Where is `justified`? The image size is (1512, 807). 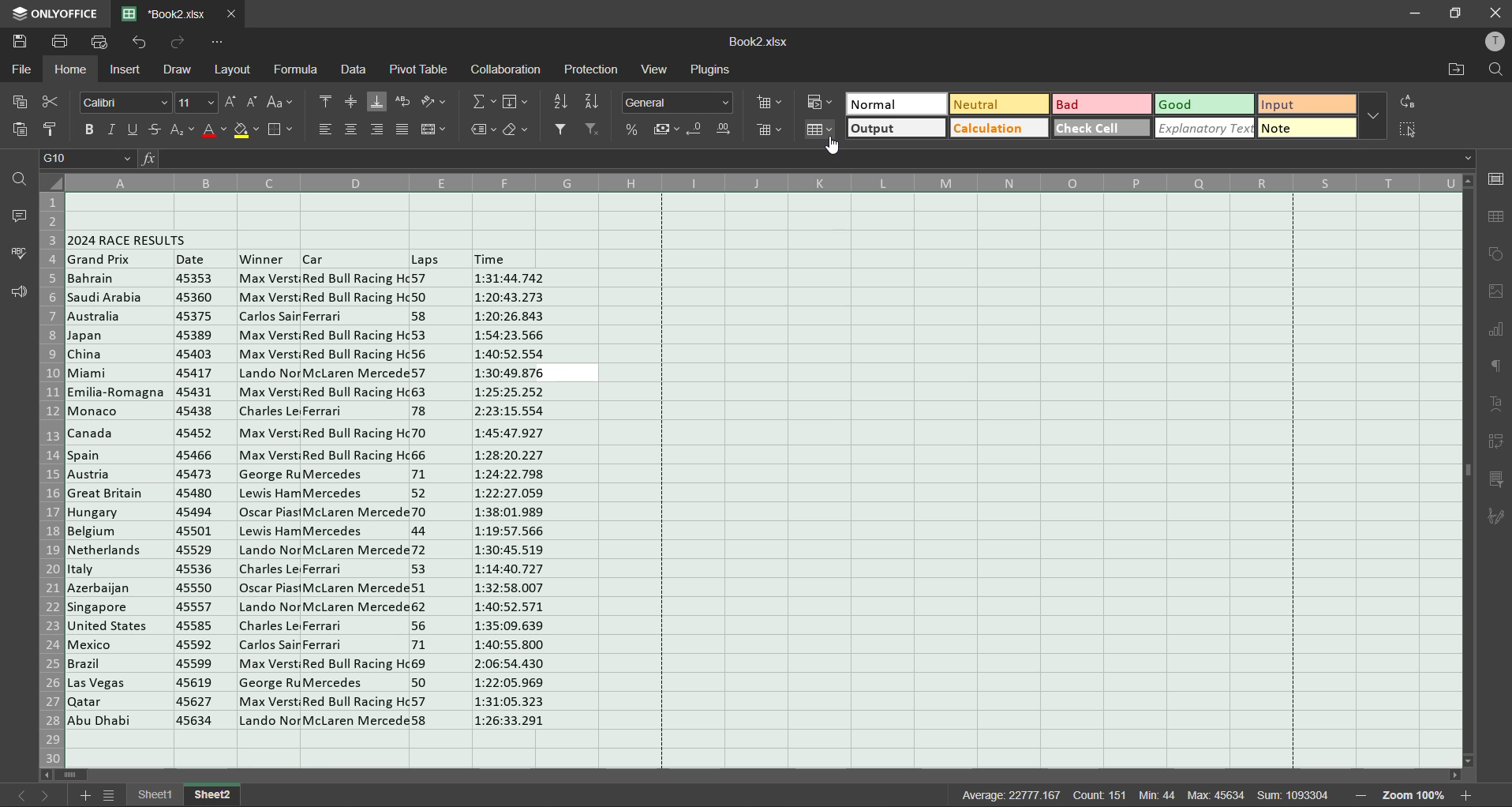 justified is located at coordinates (402, 128).